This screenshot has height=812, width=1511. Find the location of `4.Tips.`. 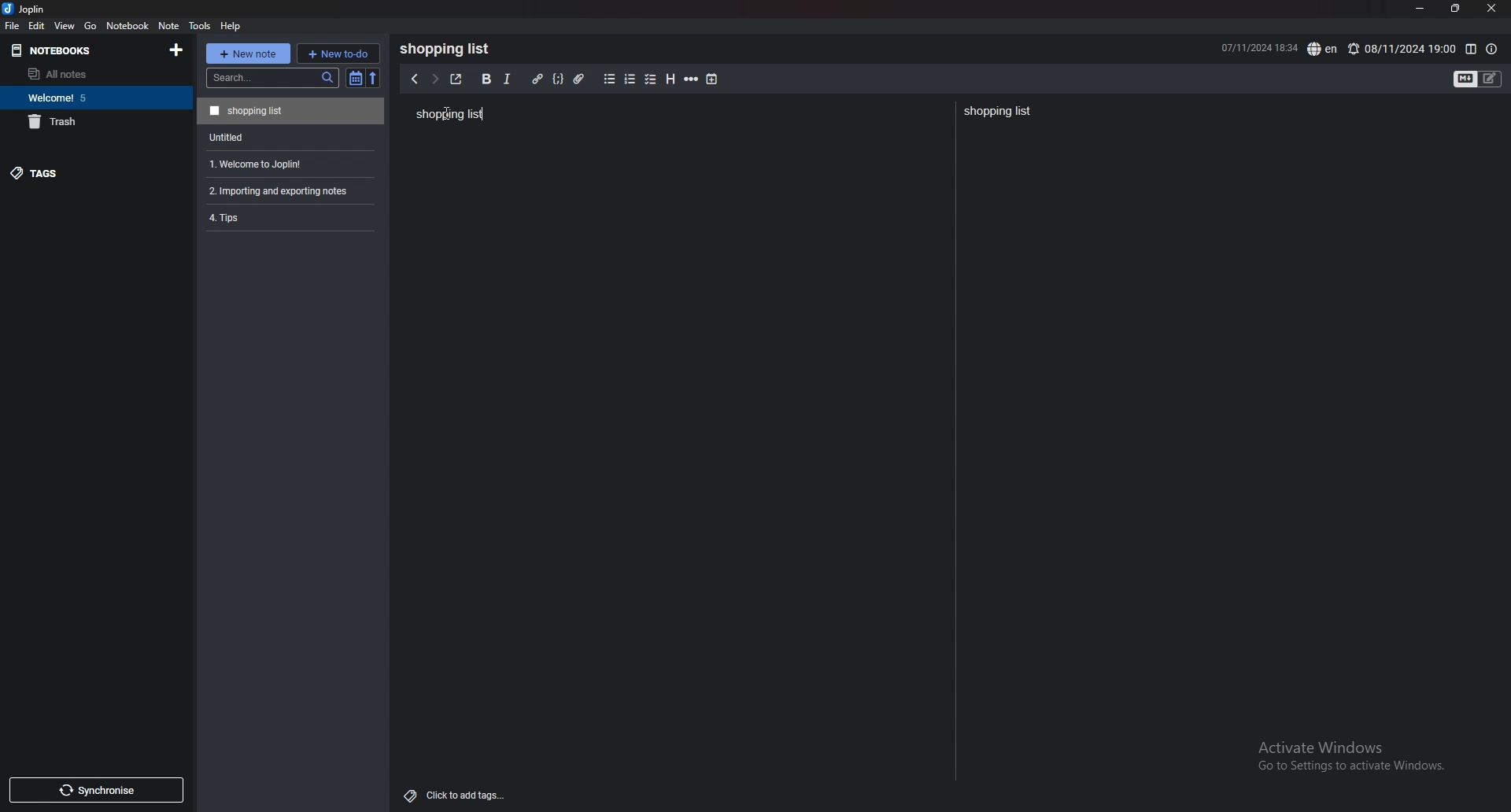

4.Tips. is located at coordinates (289, 217).